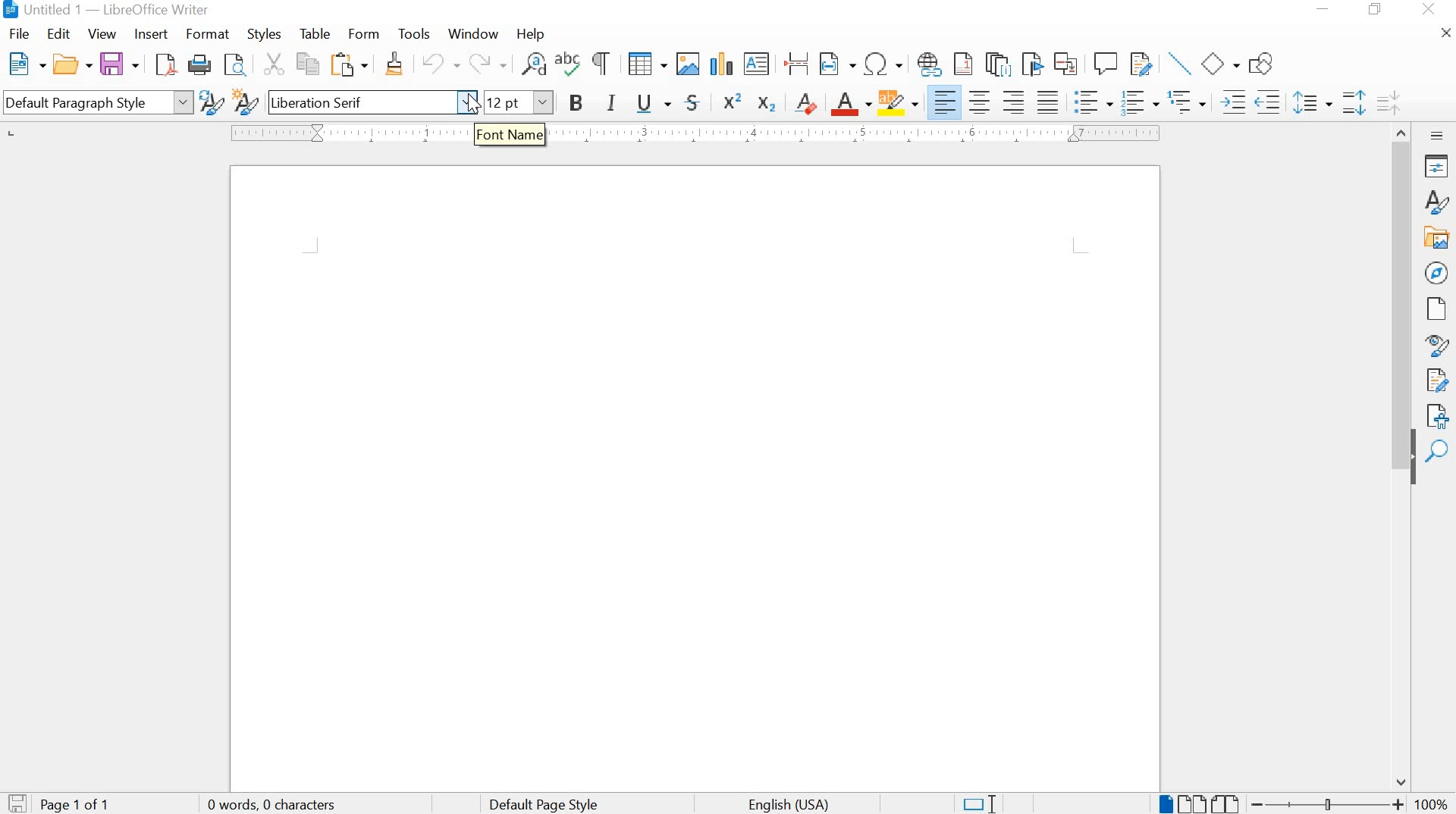 The height and width of the screenshot is (814, 1456). I want to click on GALLERY, so click(1438, 239).